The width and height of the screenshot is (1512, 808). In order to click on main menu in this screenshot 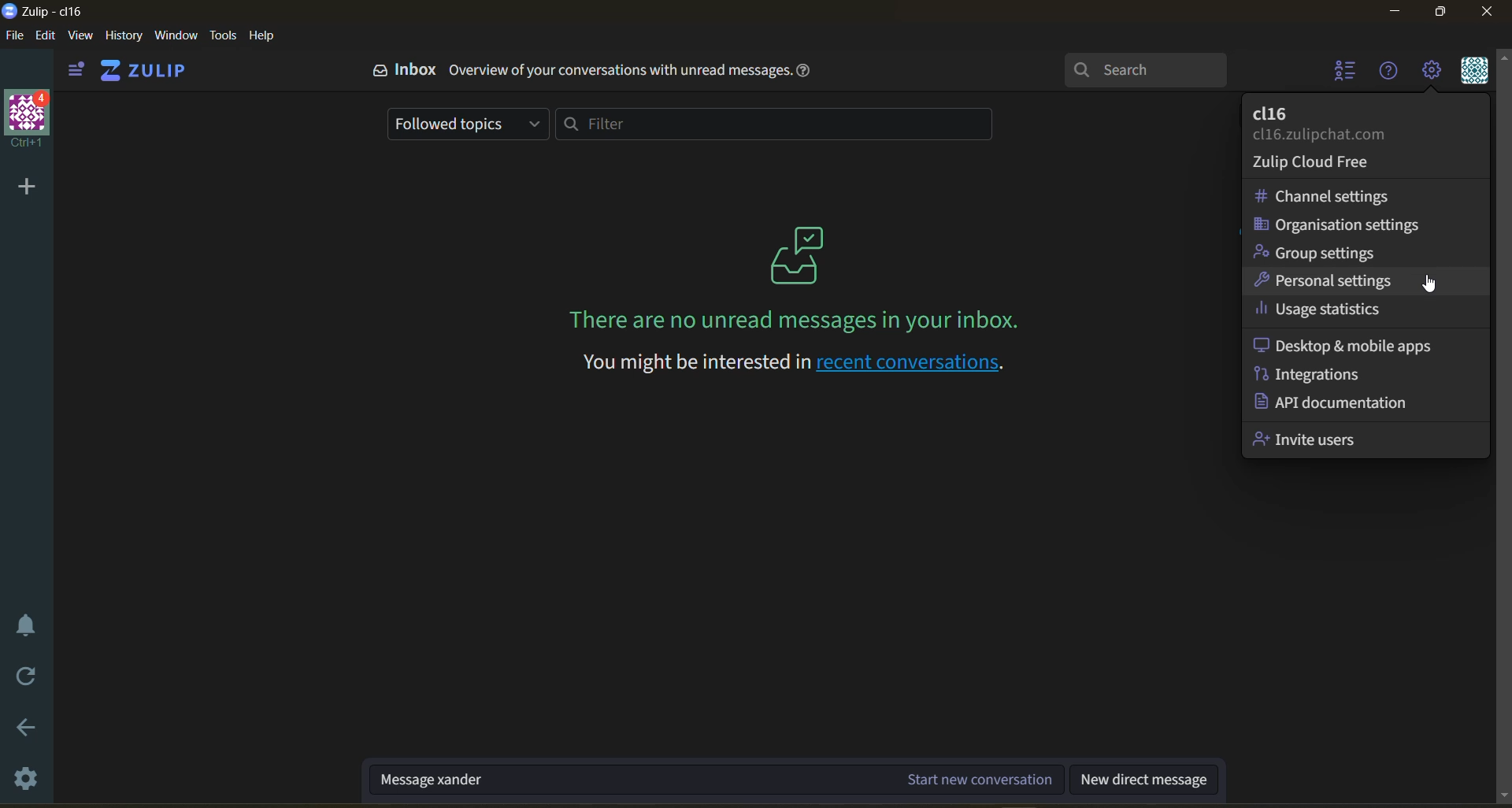, I will do `click(1431, 70)`.